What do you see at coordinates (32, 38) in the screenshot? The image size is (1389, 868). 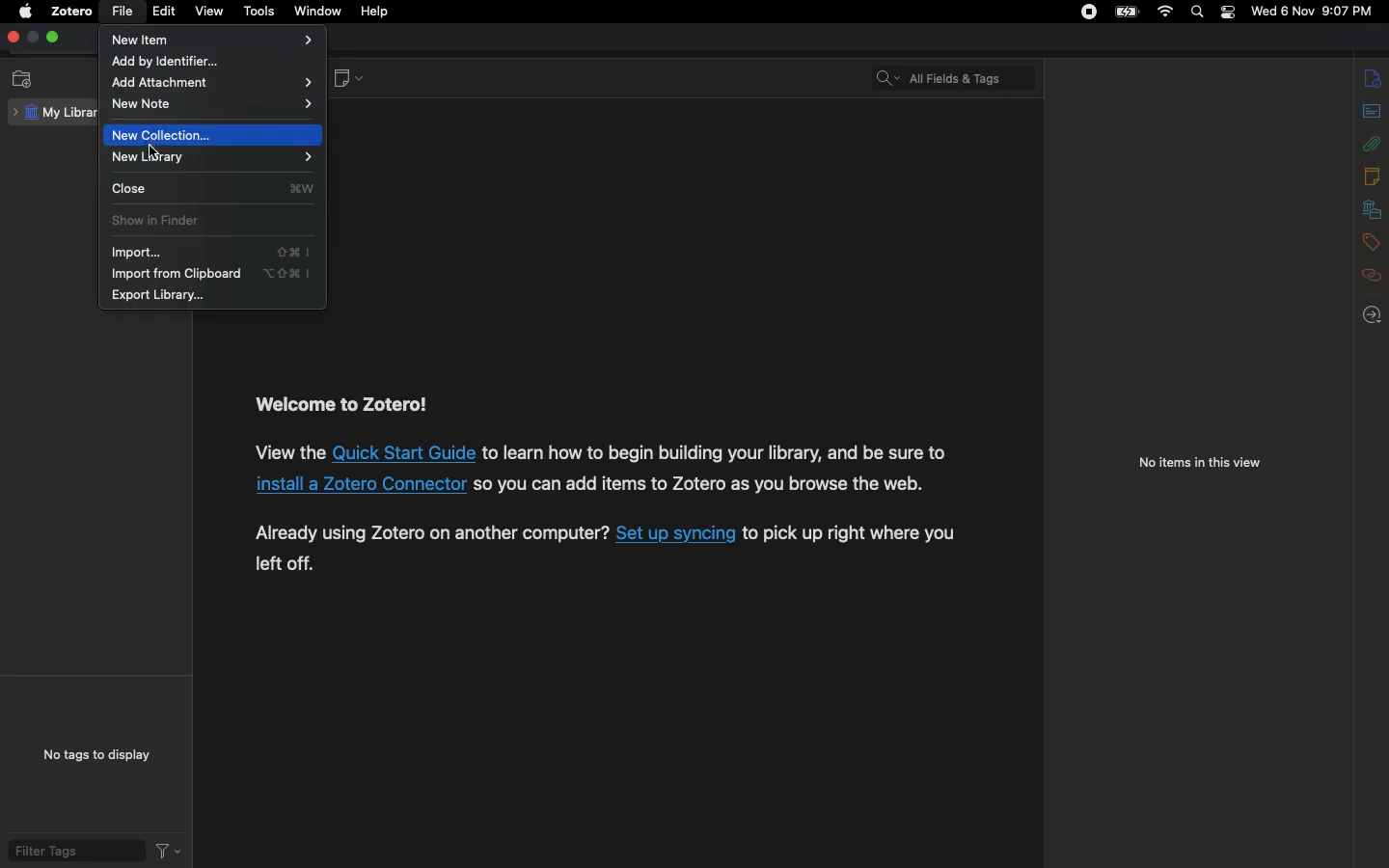 I see `Minimize` at bounding box center [32, 38].